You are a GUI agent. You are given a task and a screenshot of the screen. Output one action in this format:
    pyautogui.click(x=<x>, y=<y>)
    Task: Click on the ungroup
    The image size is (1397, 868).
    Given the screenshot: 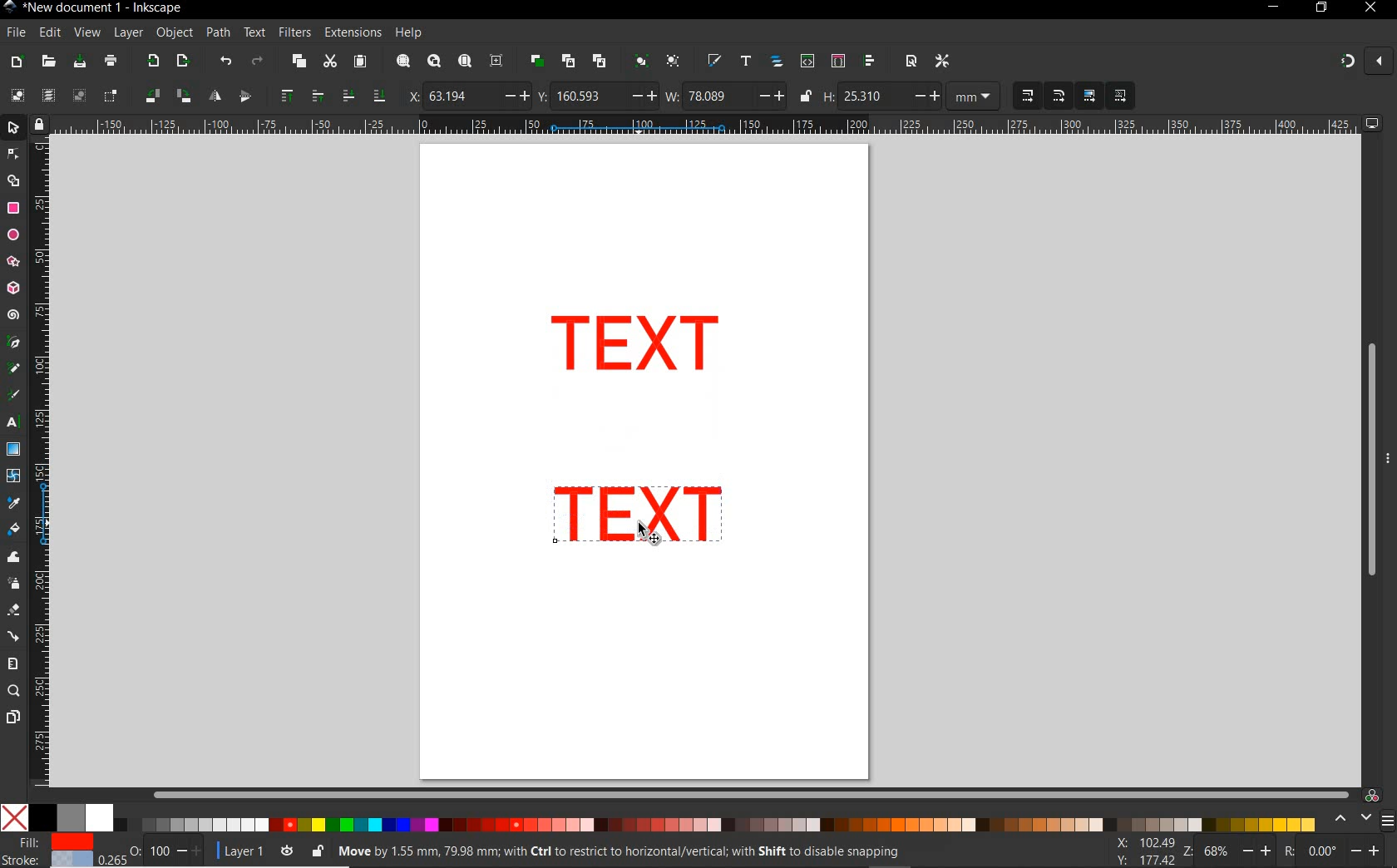 What is the action you would take?
    pyautogui.click(x=673, y=62)
    